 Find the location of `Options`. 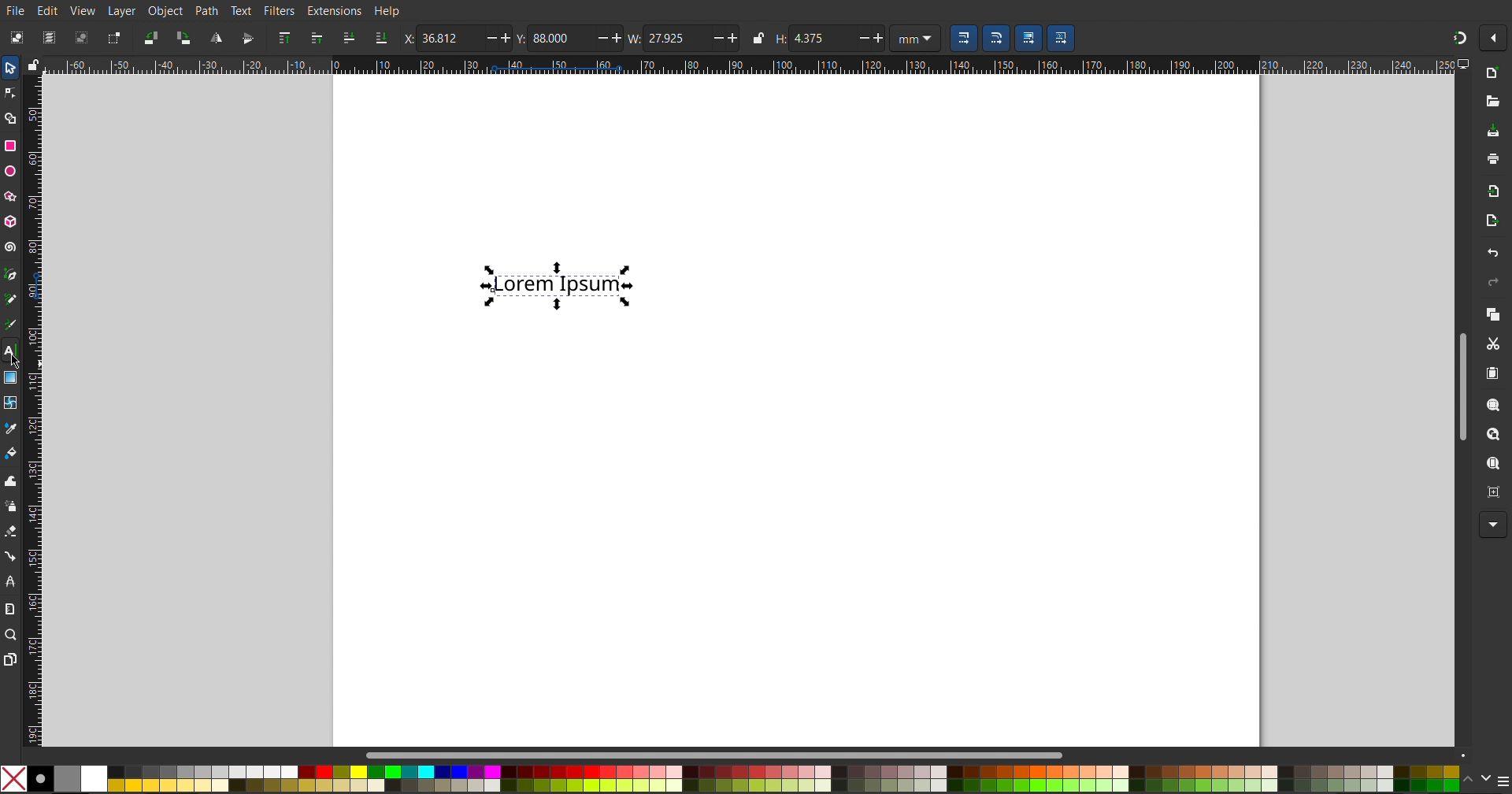

Options is located at coordinates (1496, 39).